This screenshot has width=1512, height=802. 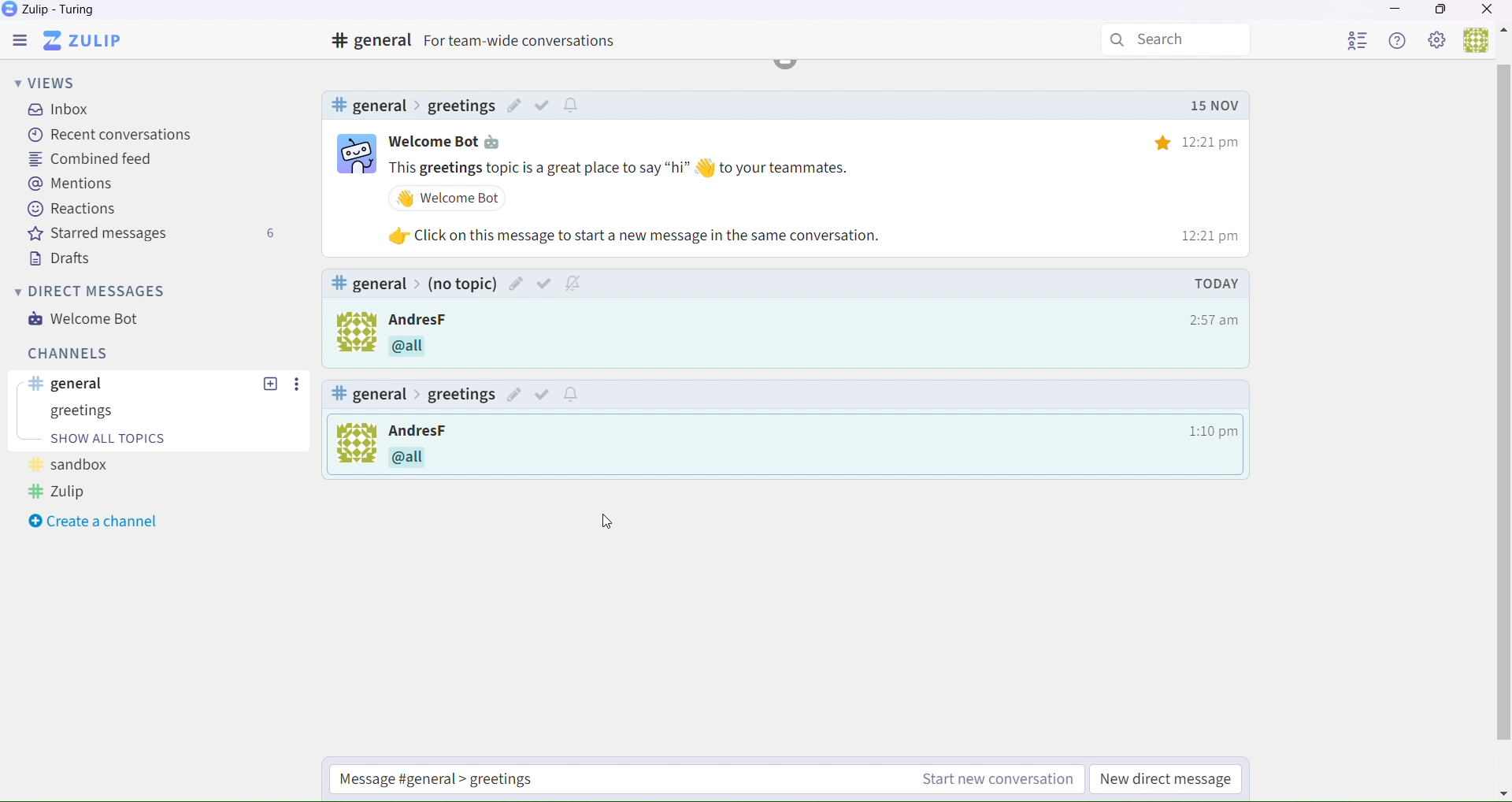 I want to click on , so click(x=449, y=457).